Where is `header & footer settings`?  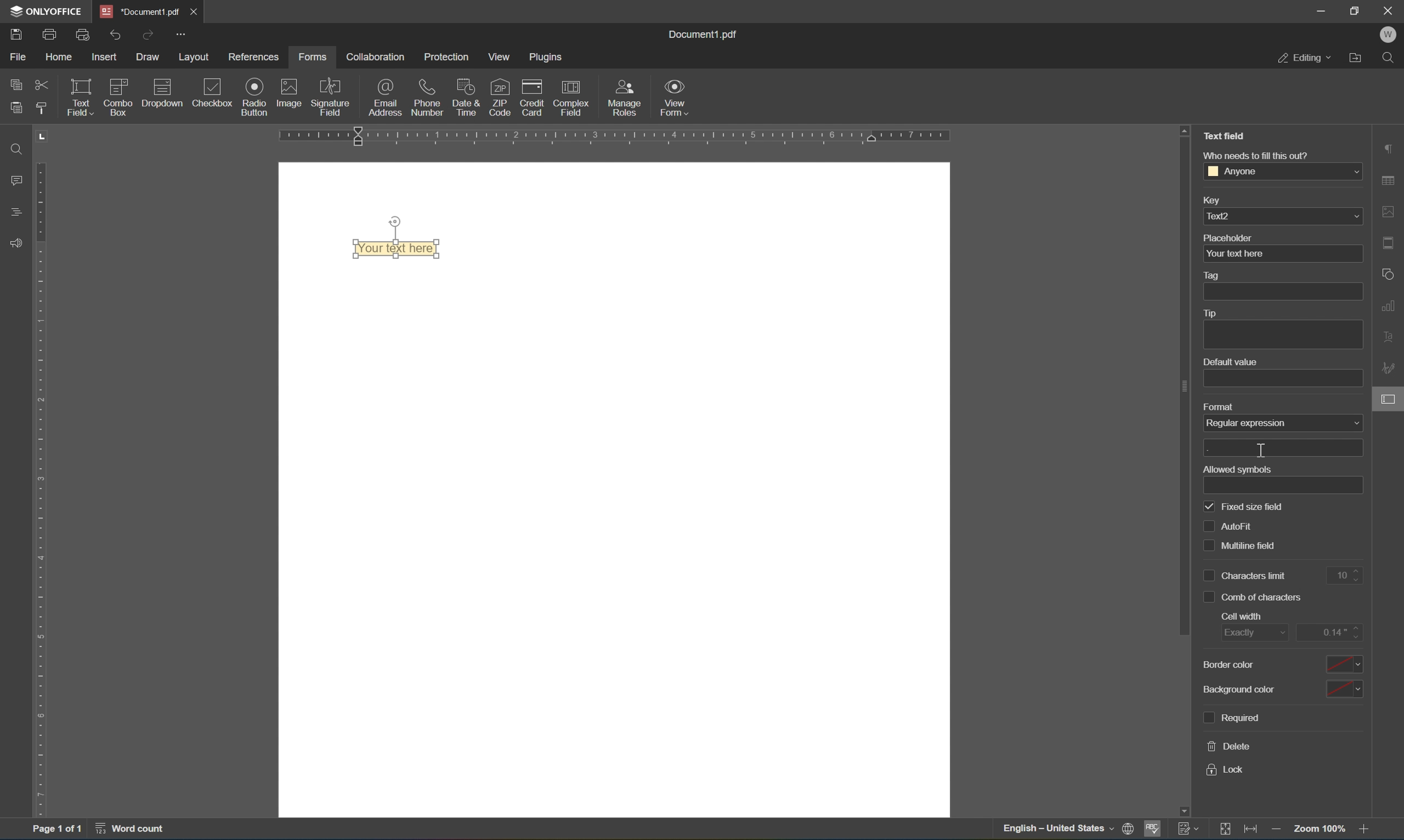
header & footer settings is located at coordinates (1389, 244).